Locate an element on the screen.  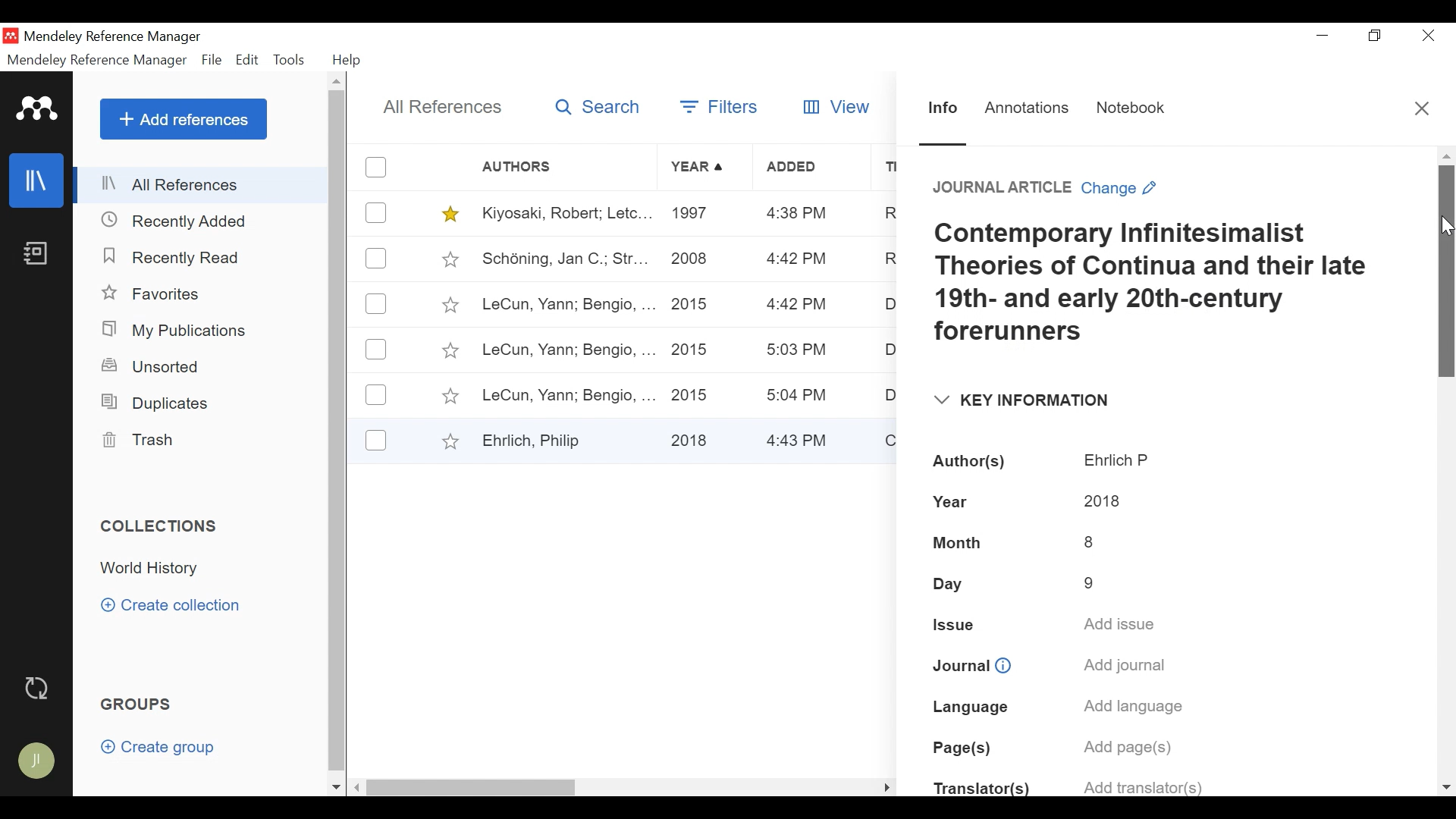
scroll right is located at coordinates (886, 786).